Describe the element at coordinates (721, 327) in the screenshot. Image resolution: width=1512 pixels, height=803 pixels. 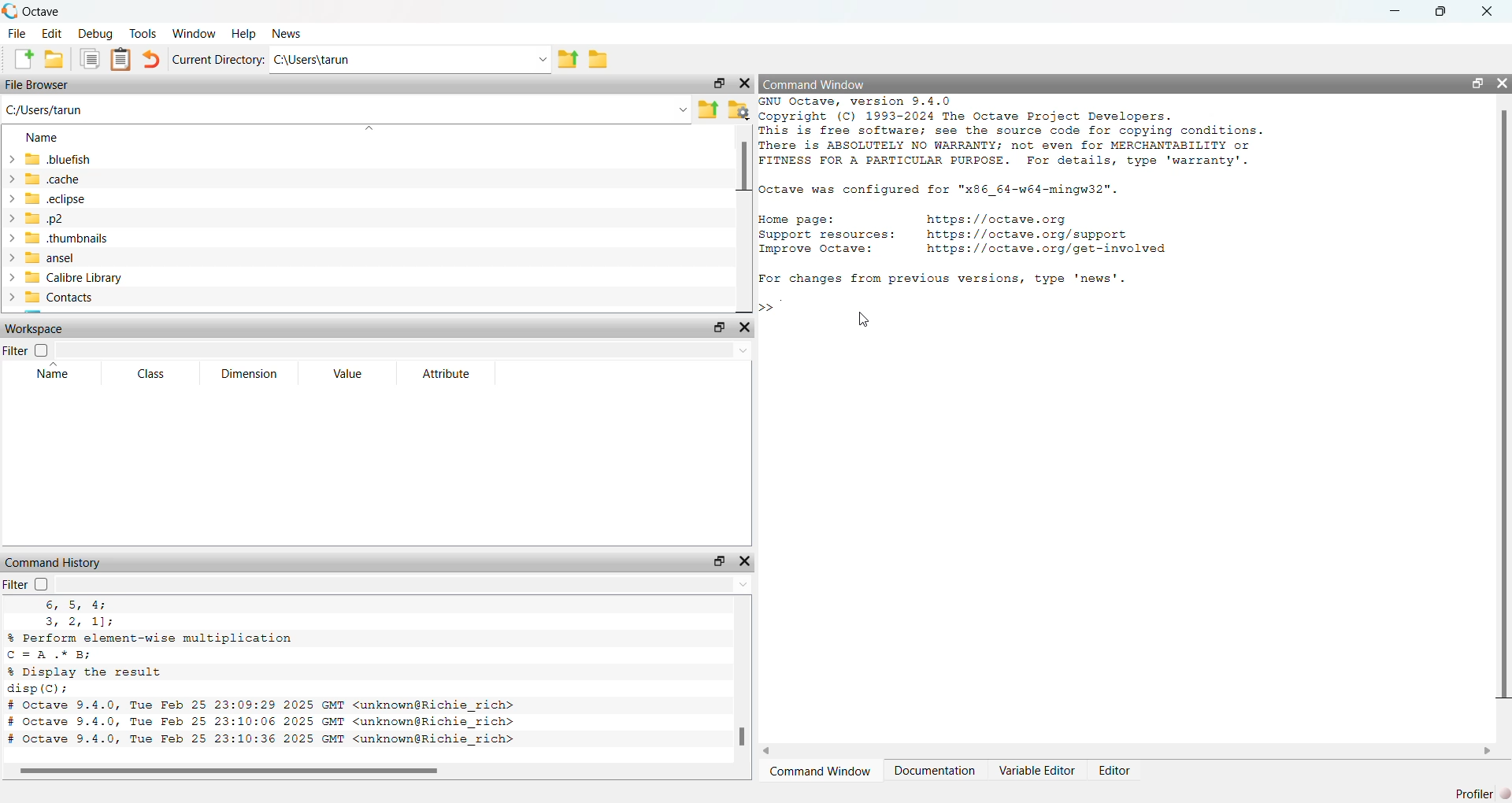
I see `Restore Down` at that location.